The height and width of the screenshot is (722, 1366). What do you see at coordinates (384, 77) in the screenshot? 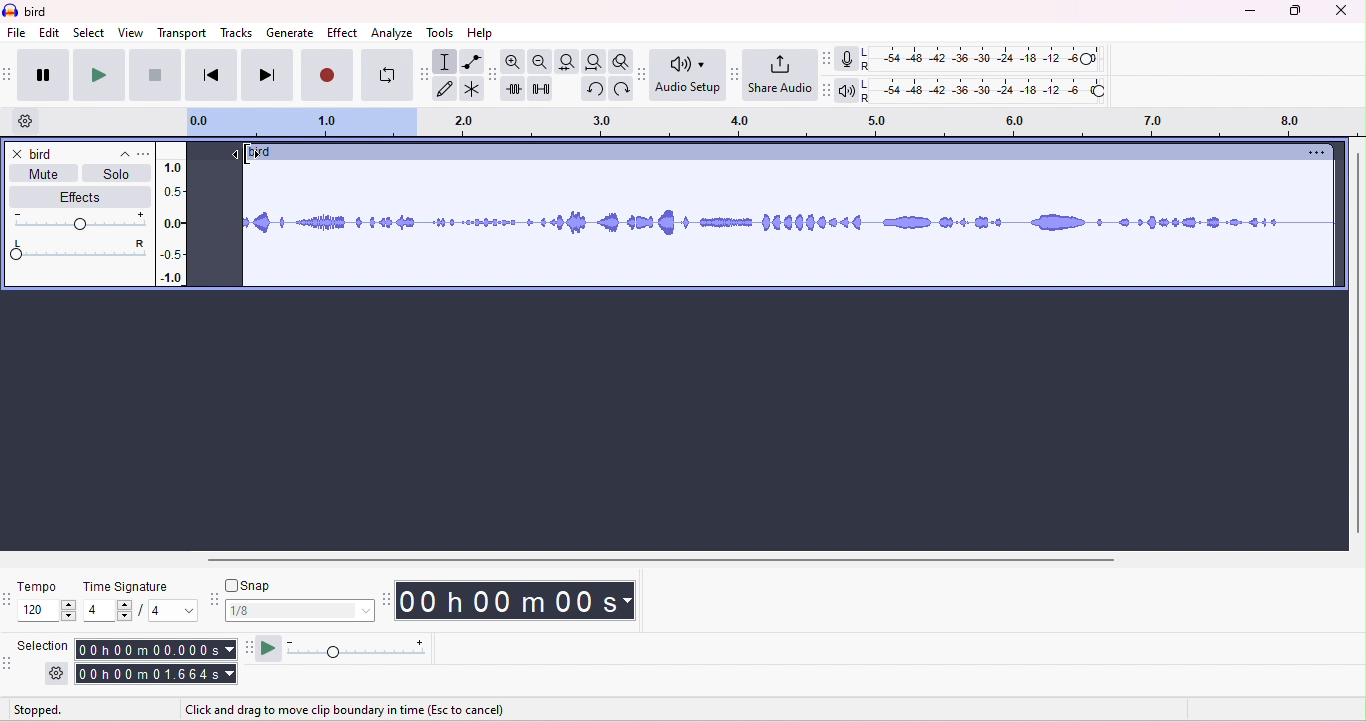
I see `loop` at bounding box center [384, 77].